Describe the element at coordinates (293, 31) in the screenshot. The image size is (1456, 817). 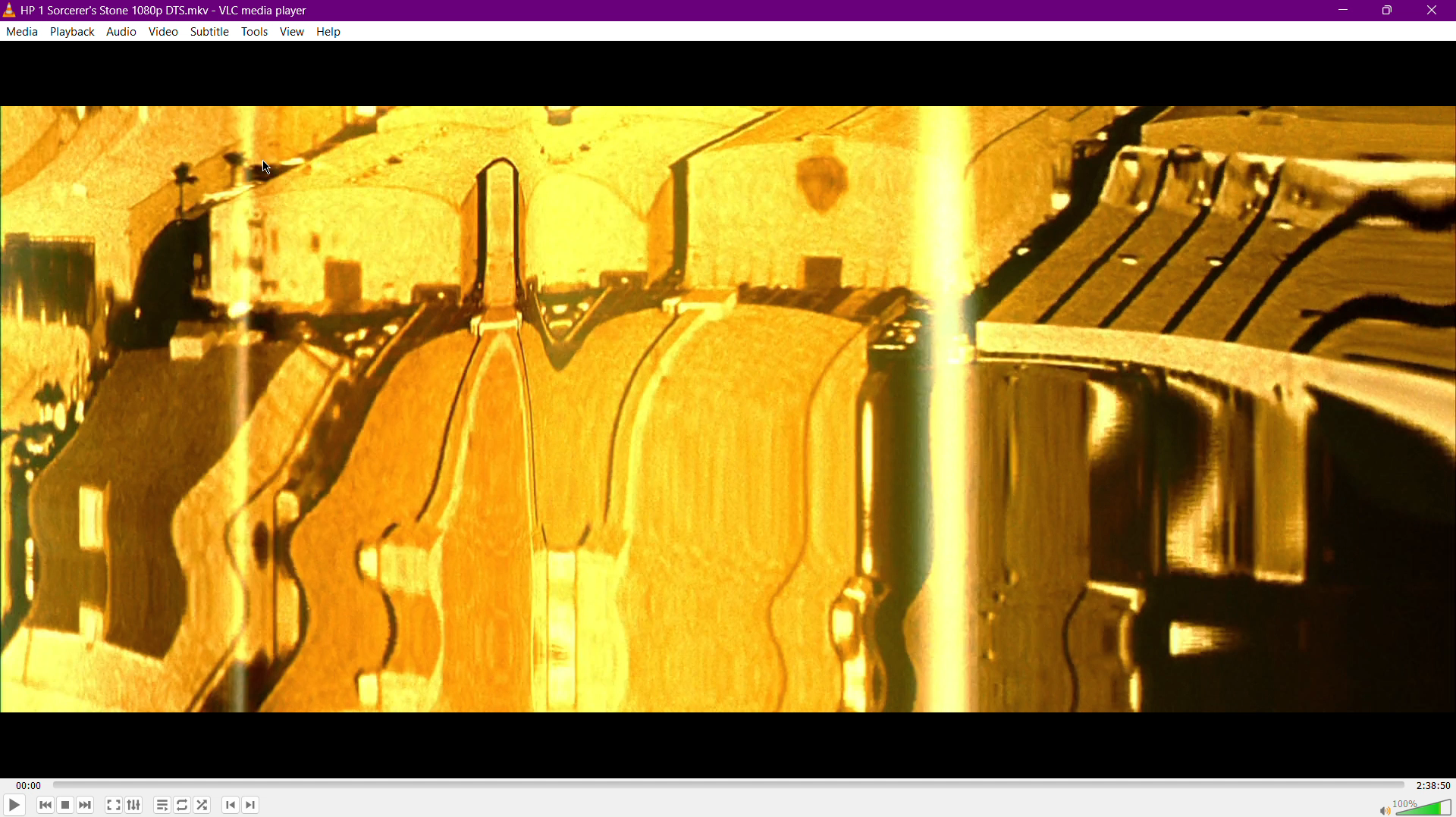
I see `View` at that location.